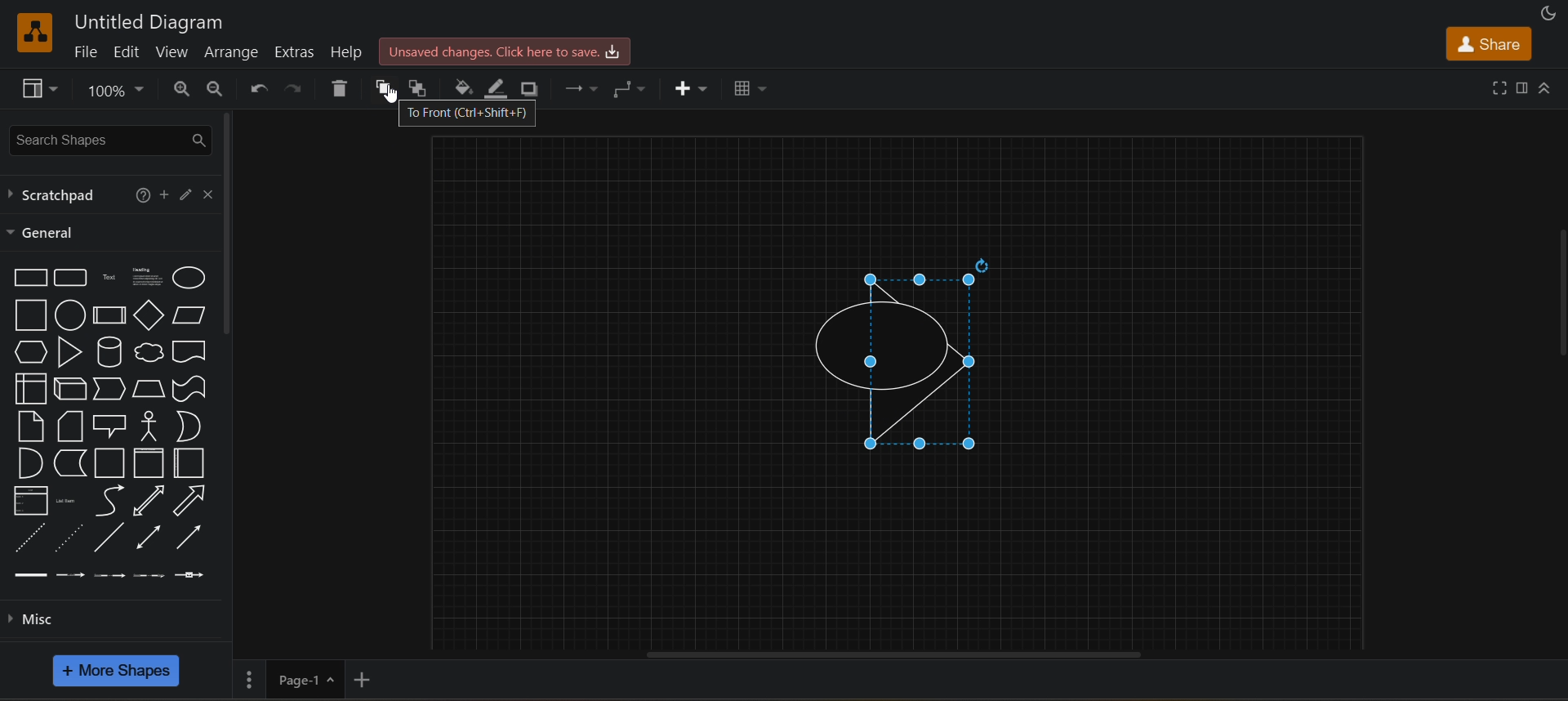 Image resolution: width=1568 pixels, height=701 pixels. I want to click on cursor, so click(392, 95).